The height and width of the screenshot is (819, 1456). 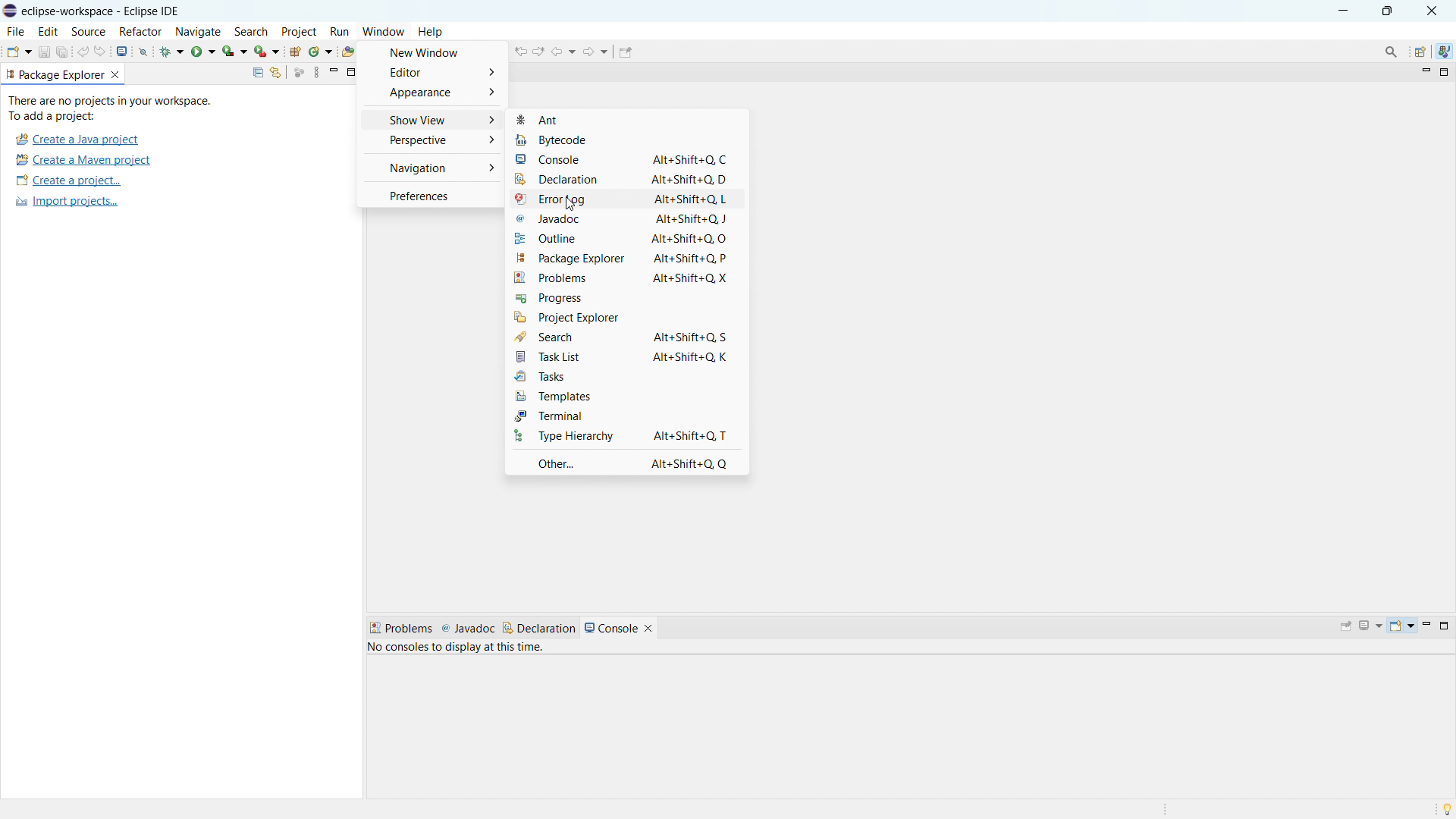 What do you see at coordinates (625, 180) in the screenshot?
I see `Declaration    Alt+Shift+Q, D` at bounding box center [625, 180].